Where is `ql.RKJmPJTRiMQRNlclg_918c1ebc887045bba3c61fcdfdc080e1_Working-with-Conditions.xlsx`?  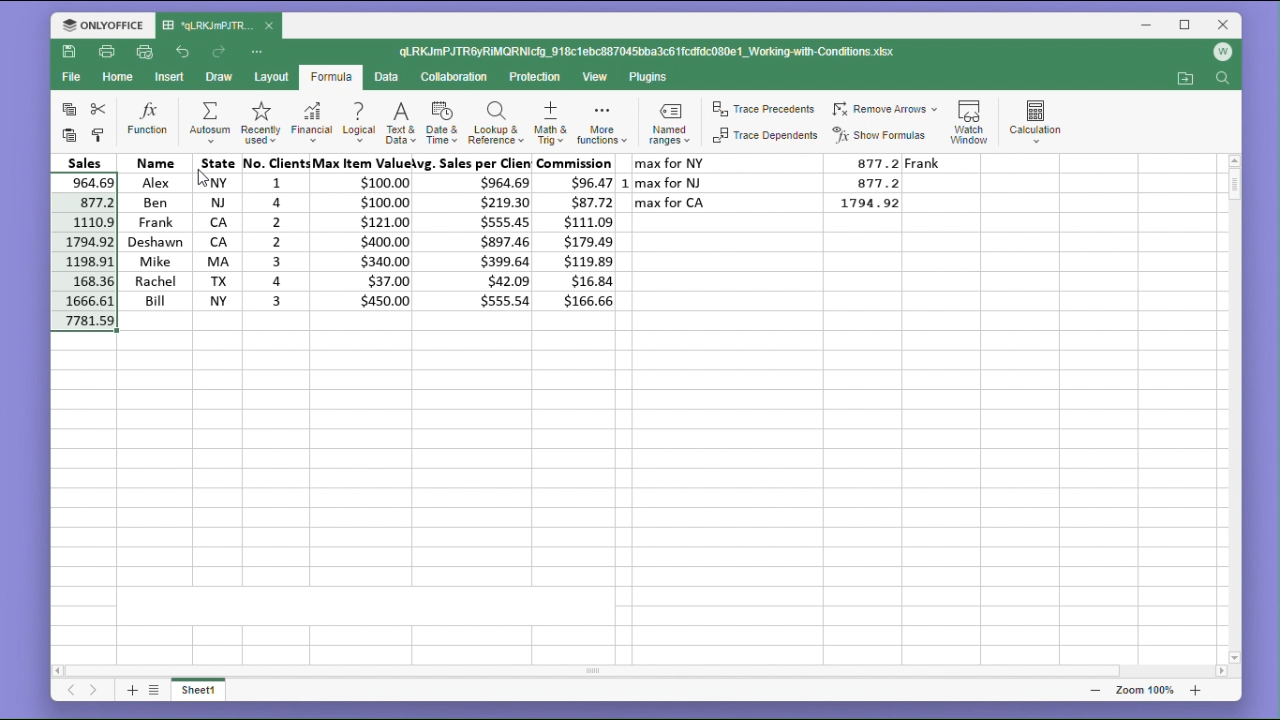
ql.RKJmPJTRiMQRNlclg_918c1ebc887045bba3c61fcdfdc080e1_Working-with-Conditions.xlsx is located at coordinates (668, 52).